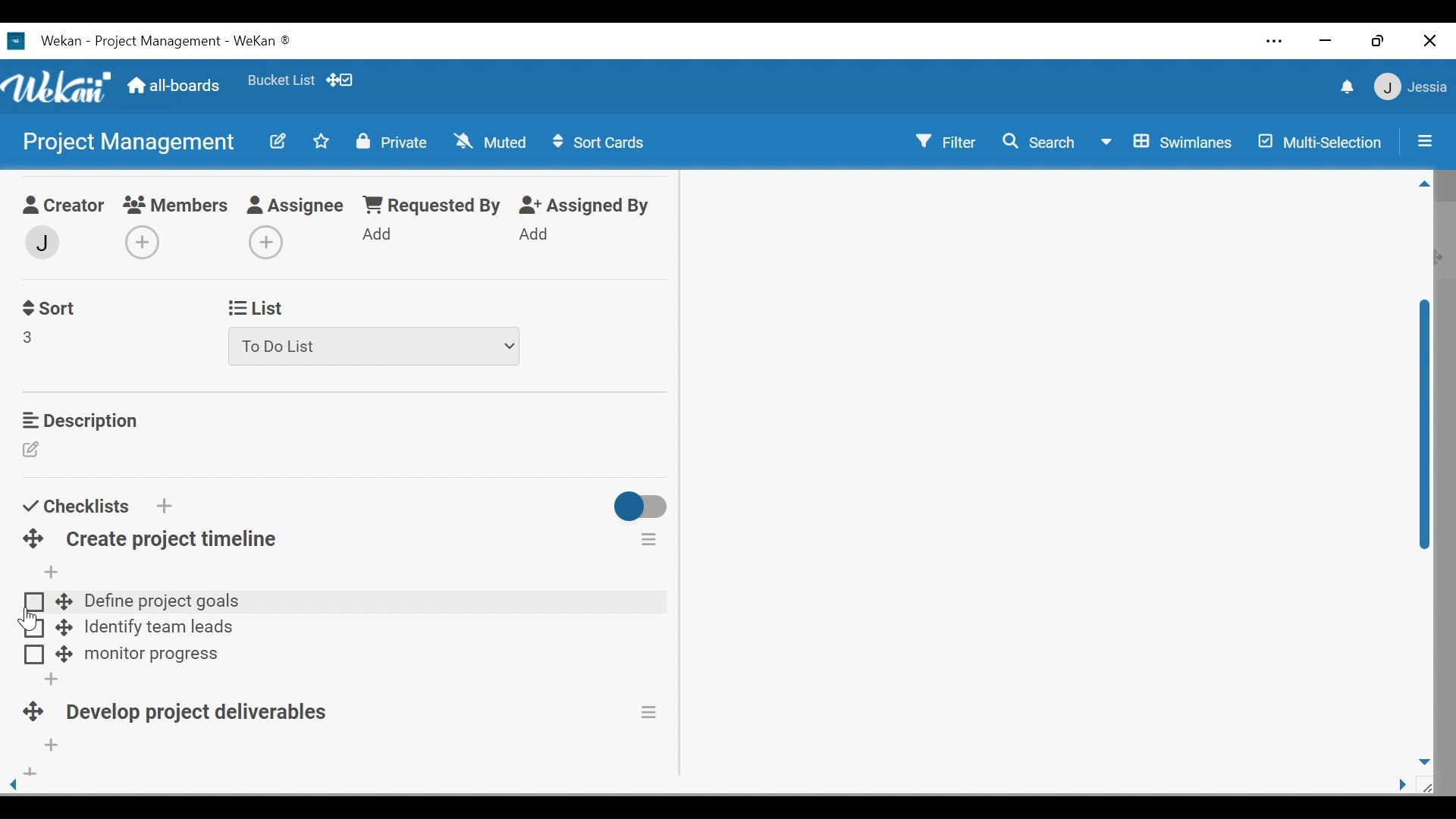 This screenshot has height=819, width=1456. Describe the element at coordinates (1410, 86) in the screenshot. I see `member settings` at that location.